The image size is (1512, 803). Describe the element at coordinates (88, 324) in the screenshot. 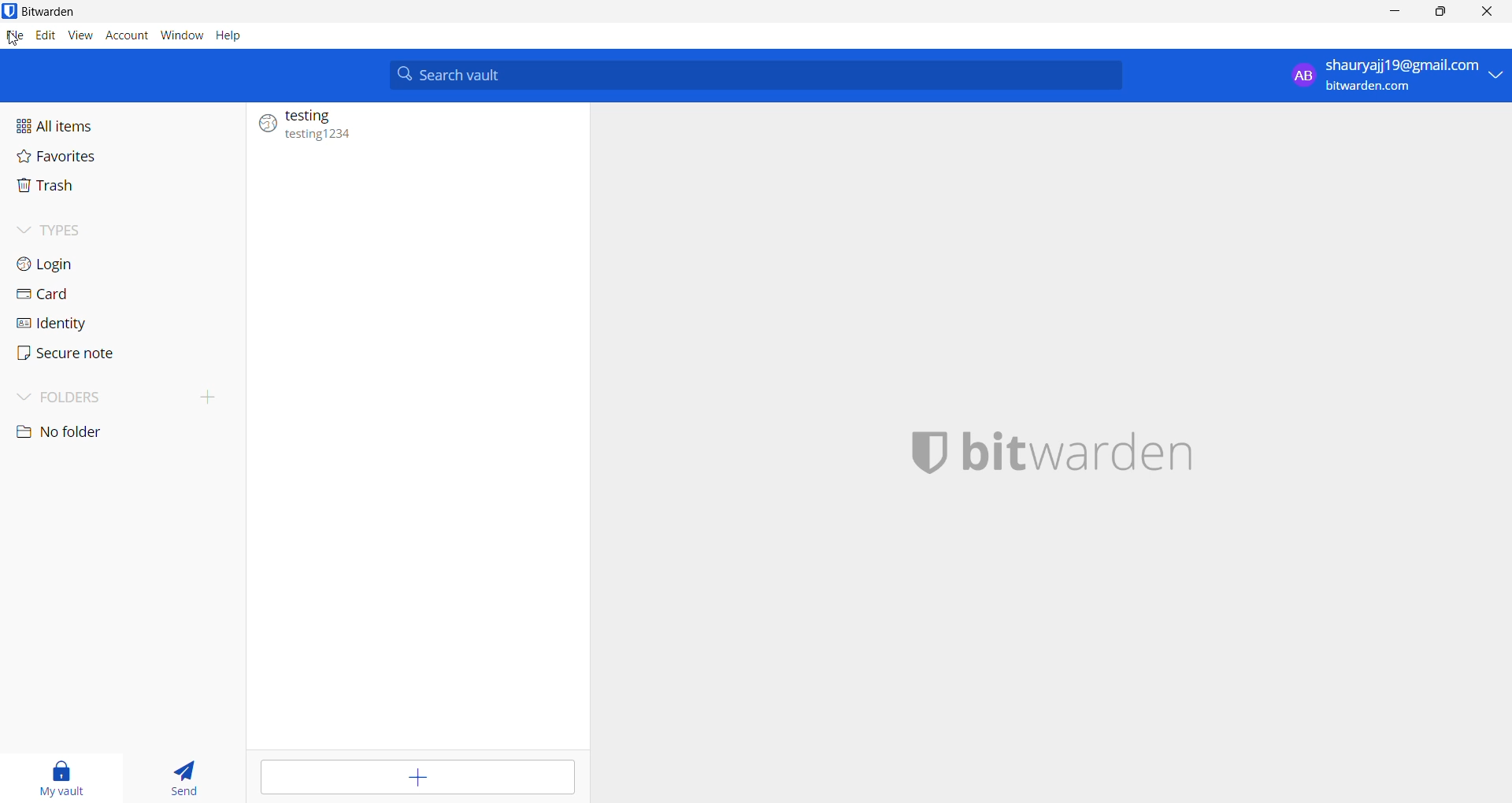

I see `identity` at that location.